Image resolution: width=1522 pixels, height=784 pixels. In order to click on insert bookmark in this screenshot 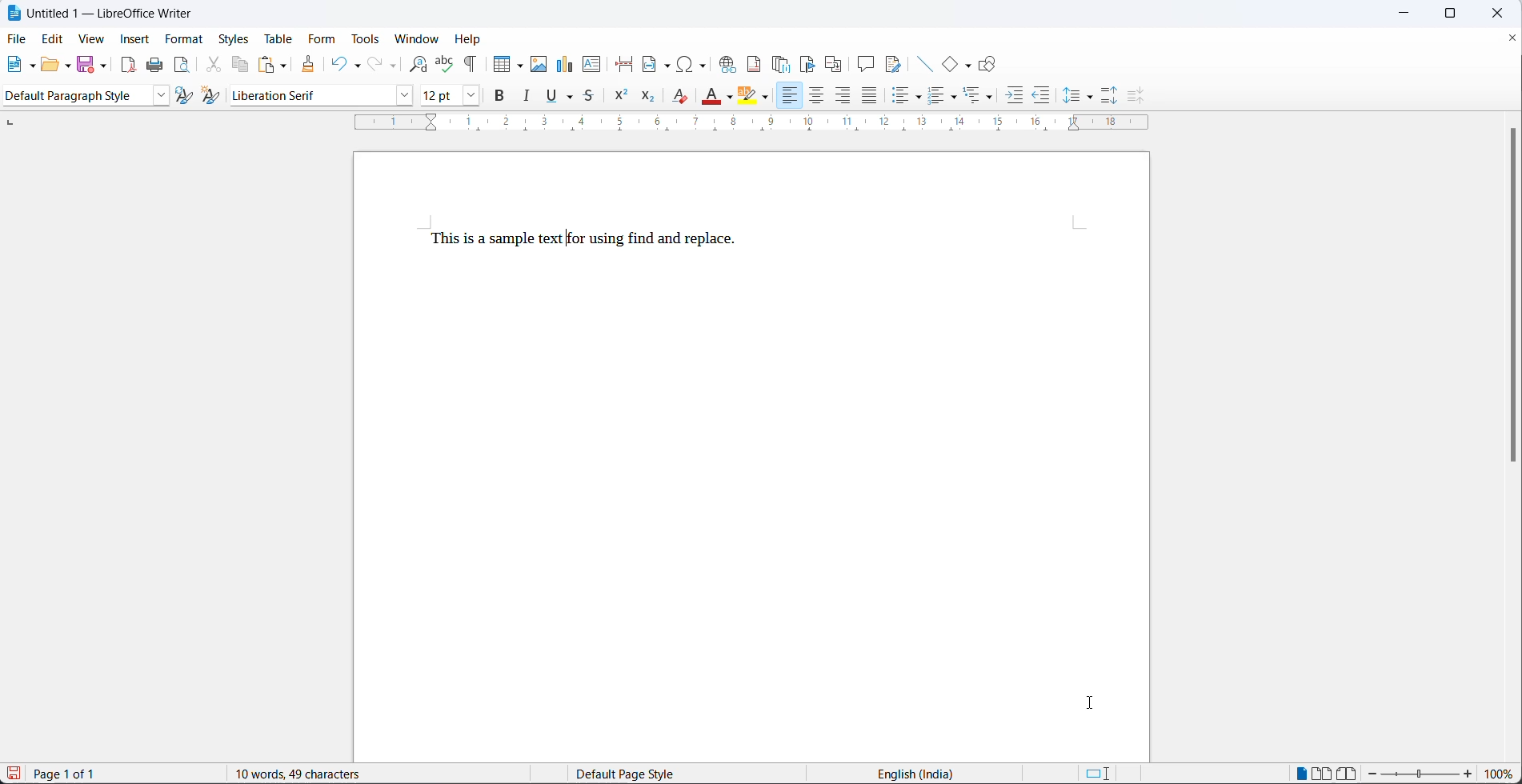, I will do `click(811, 64)`.